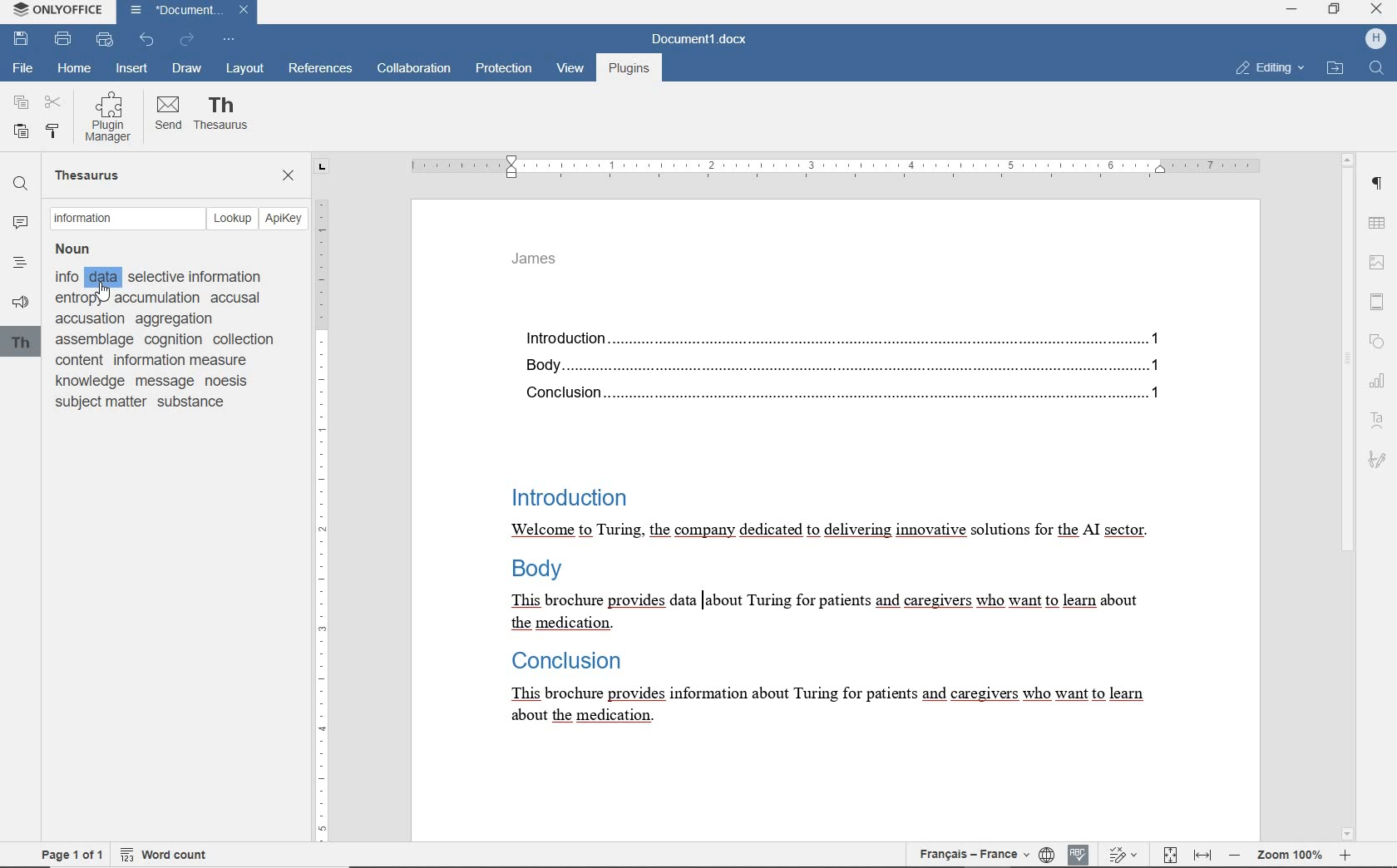  Describe the element at coordinates (1292, 12) in the screenshot. I see `EXPAND` at that location.